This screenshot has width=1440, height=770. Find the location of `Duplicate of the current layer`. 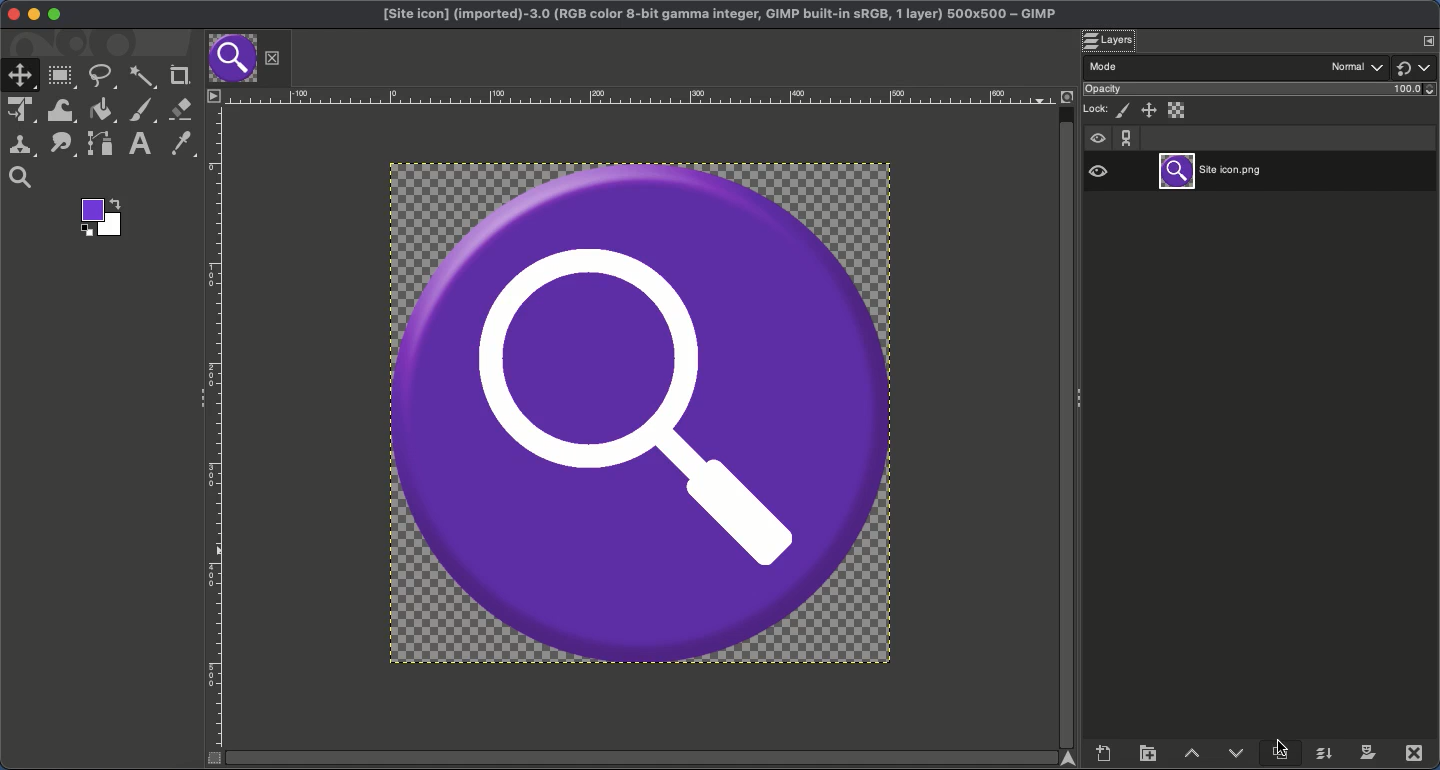

Duplicate of the current layer is located at coordinates (1278, 752).